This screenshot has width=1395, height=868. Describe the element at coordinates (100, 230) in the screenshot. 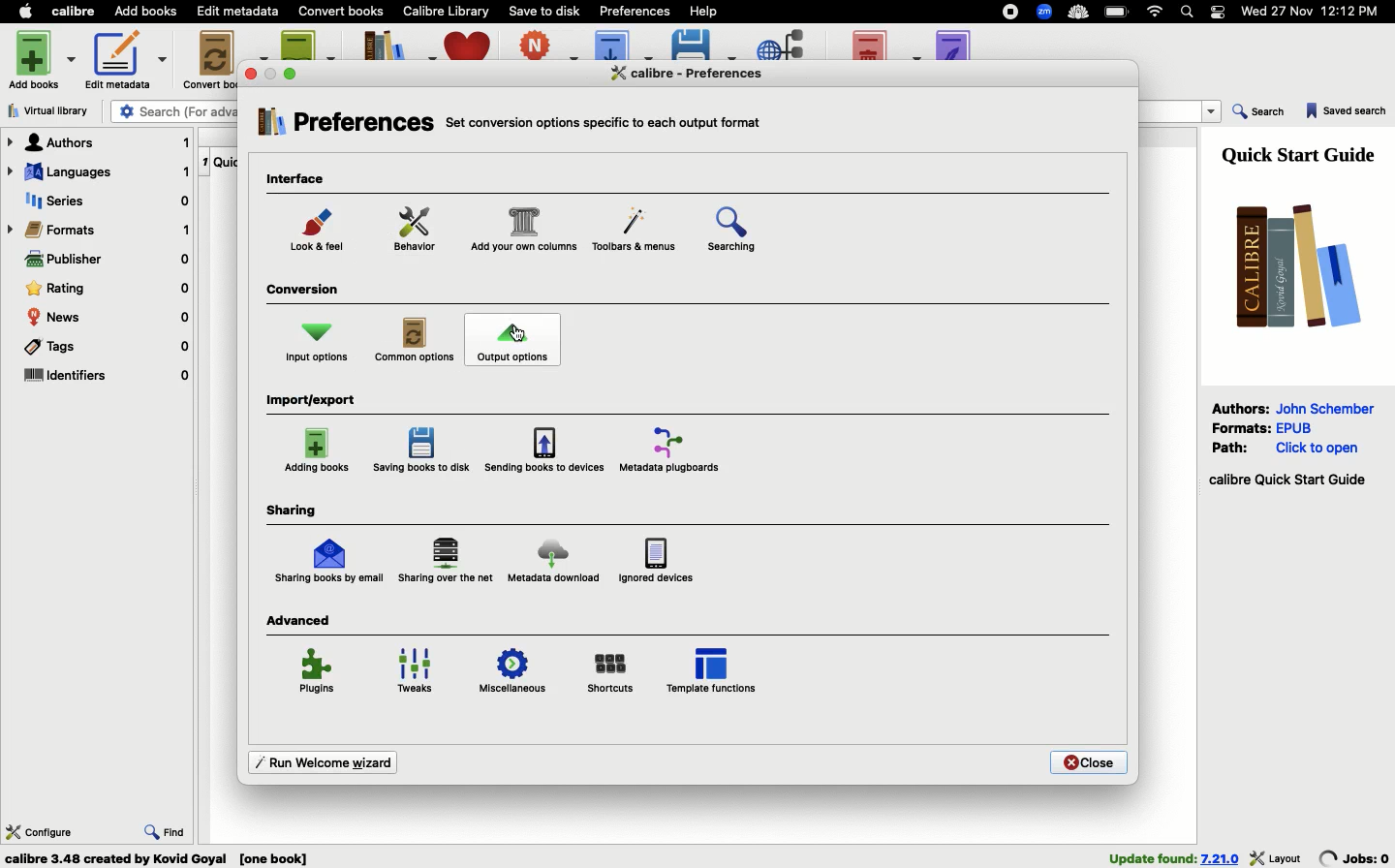

I see `Formats` at that location.